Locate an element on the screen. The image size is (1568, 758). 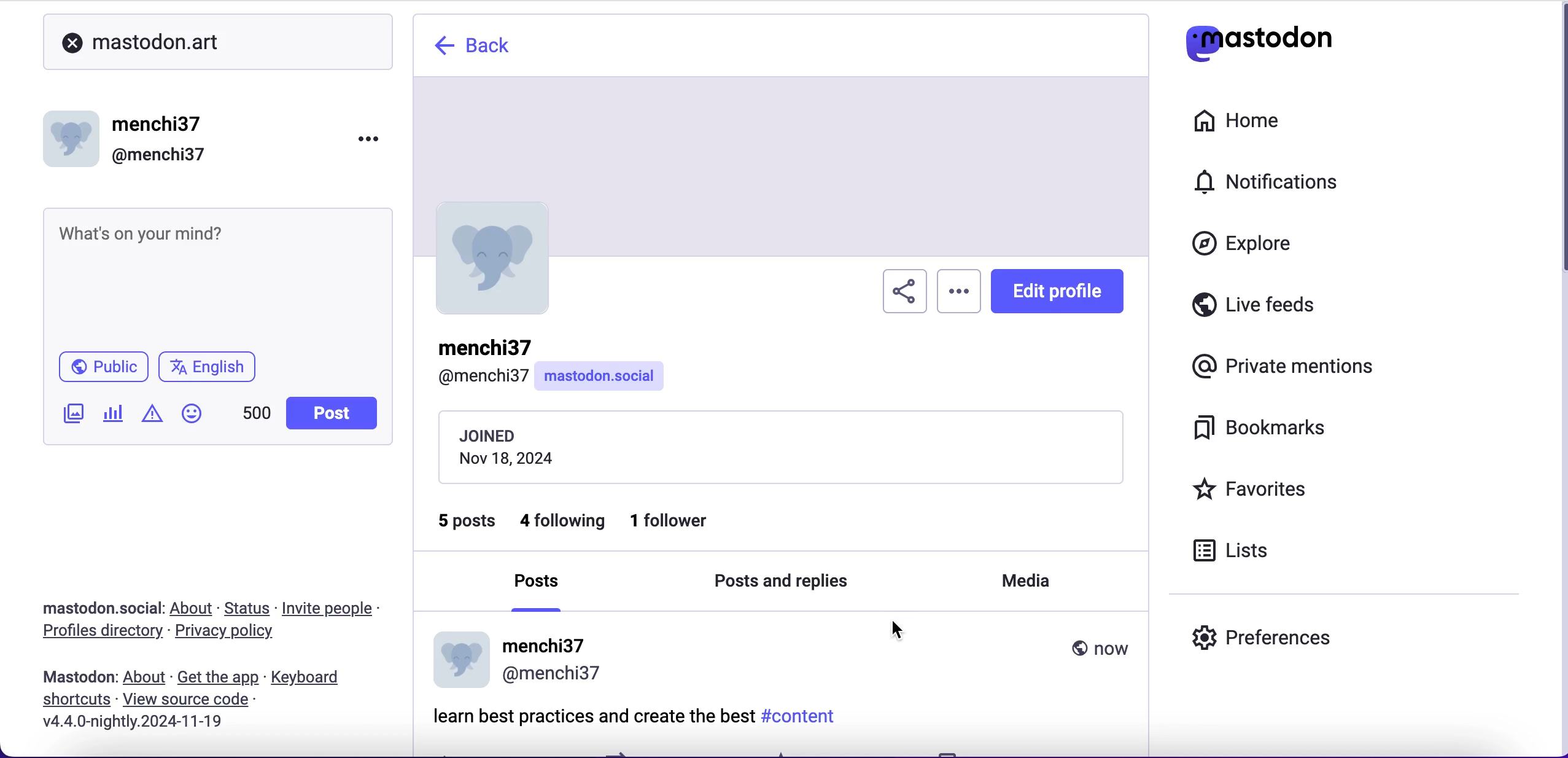
learn best oractices and create the best is located at coordinates (592, 713).